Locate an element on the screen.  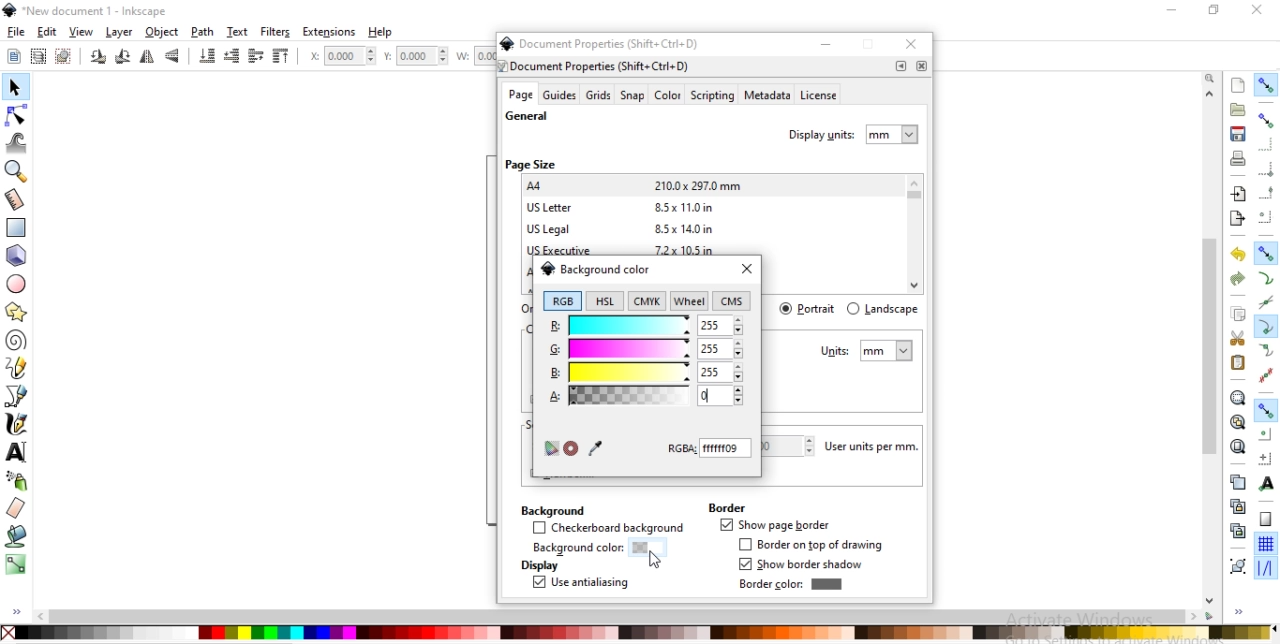
path is located at coordinates (204, 32).